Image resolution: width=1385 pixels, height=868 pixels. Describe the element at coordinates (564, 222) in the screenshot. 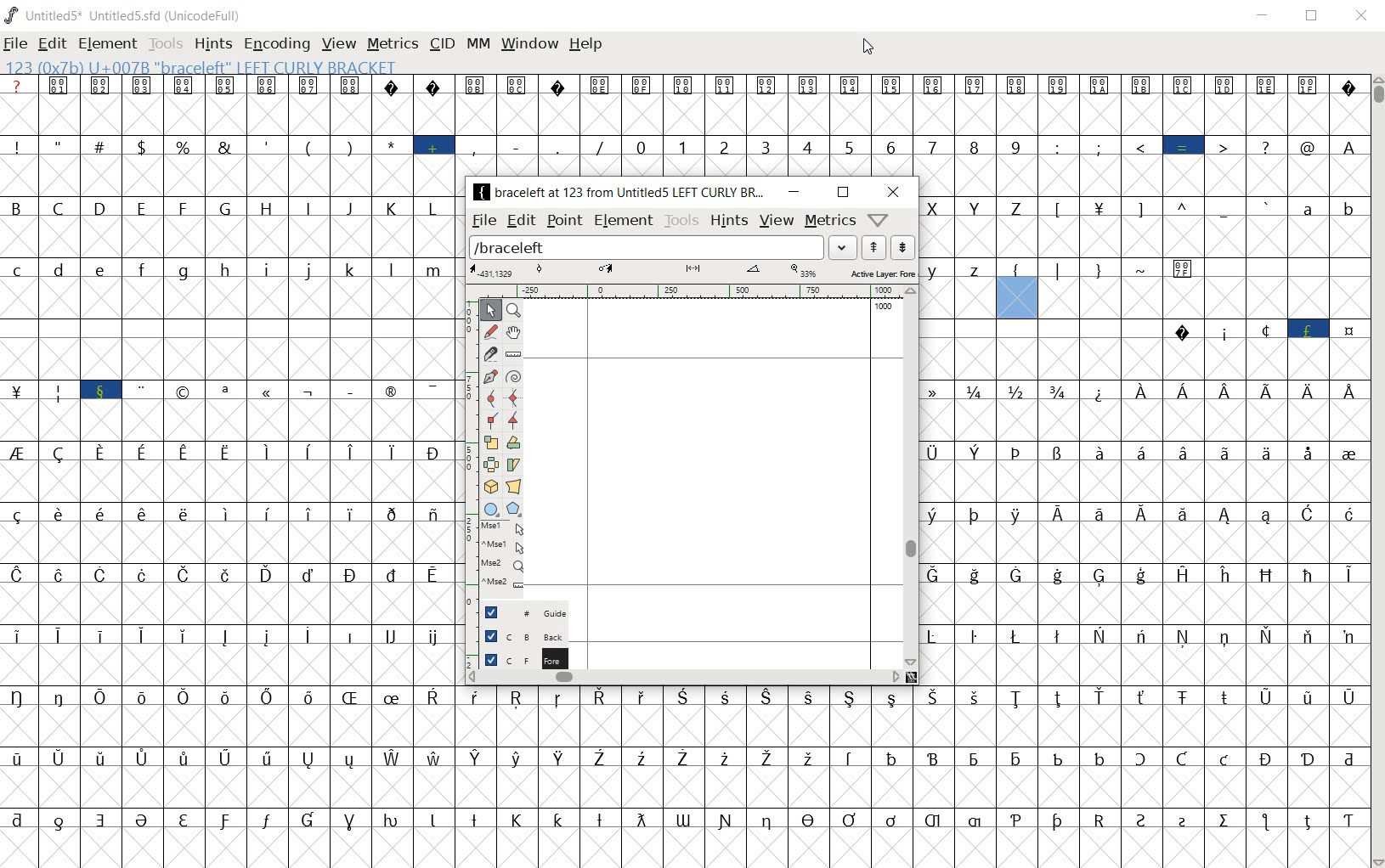

I see `point` at that location.